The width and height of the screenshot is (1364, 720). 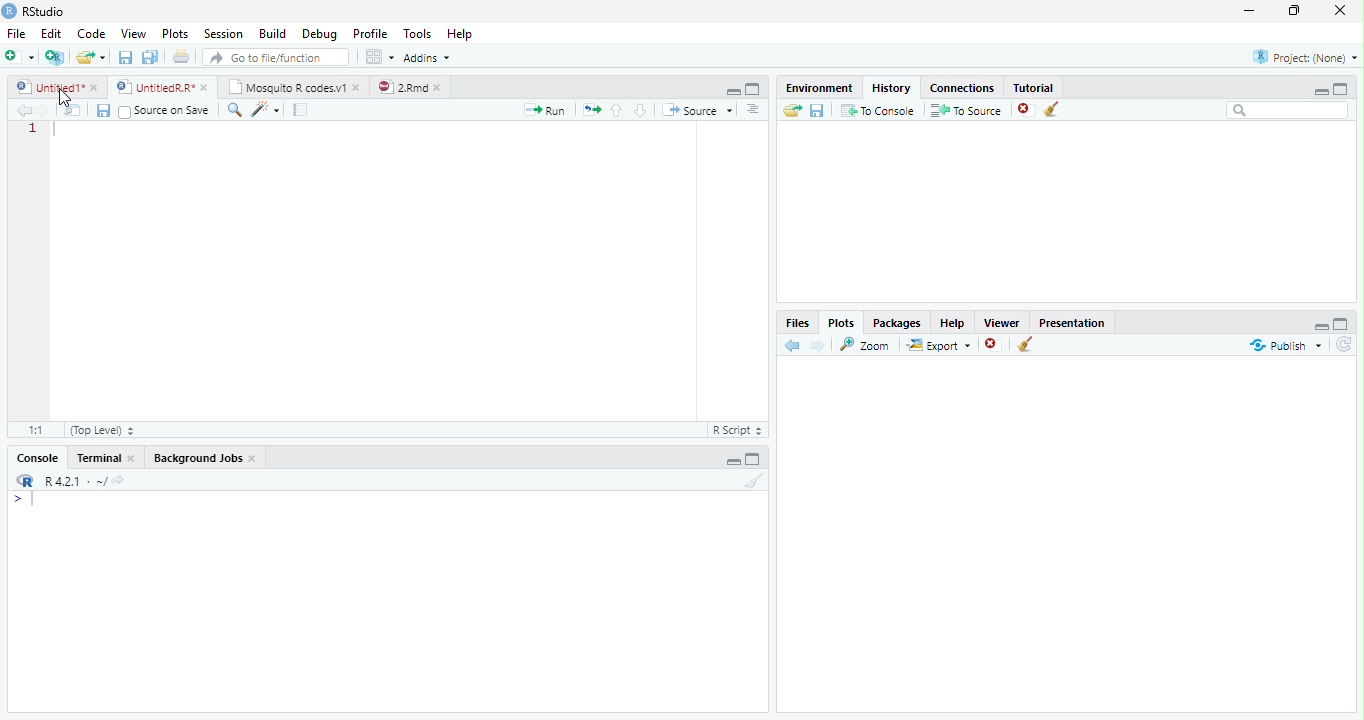 I want to click on Console, so click(x=387, y=601).